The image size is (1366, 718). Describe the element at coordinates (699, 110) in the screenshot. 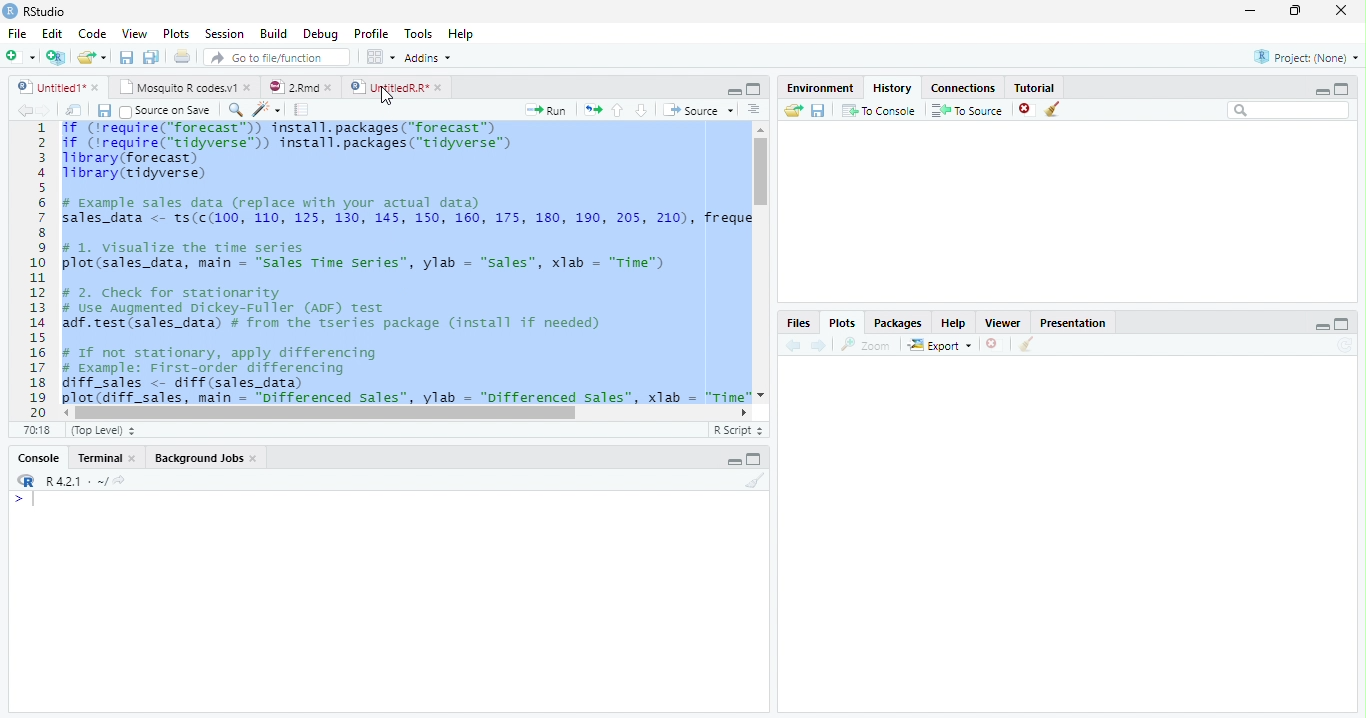

I see `Source` at that location.